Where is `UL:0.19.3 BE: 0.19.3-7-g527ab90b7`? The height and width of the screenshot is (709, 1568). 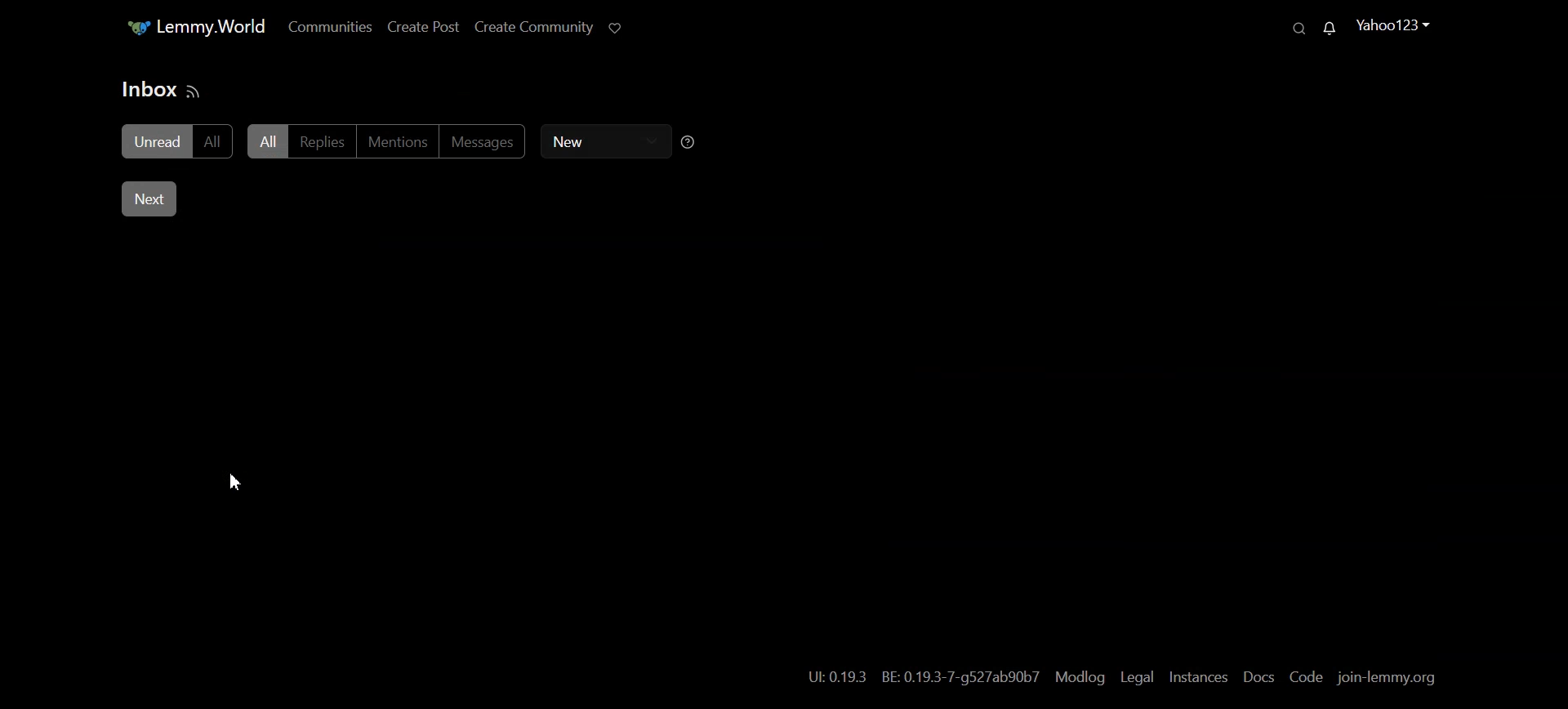 UL:0.19.3 BE: 0.19.3-7-g527ab90b7 is located at coordinates (919, 679).